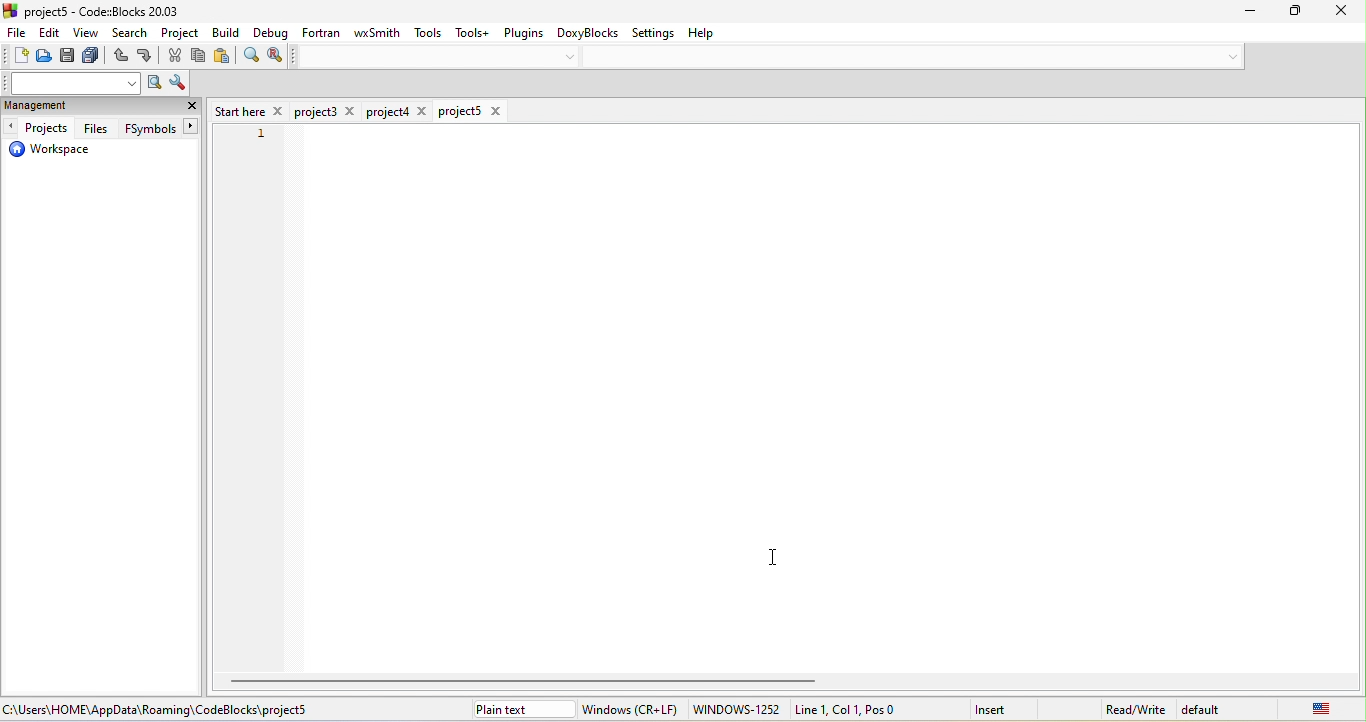  What do you see at coordinates (1228, 56) in the screenshot?
I see `down` at bounding box center [1228, 56].